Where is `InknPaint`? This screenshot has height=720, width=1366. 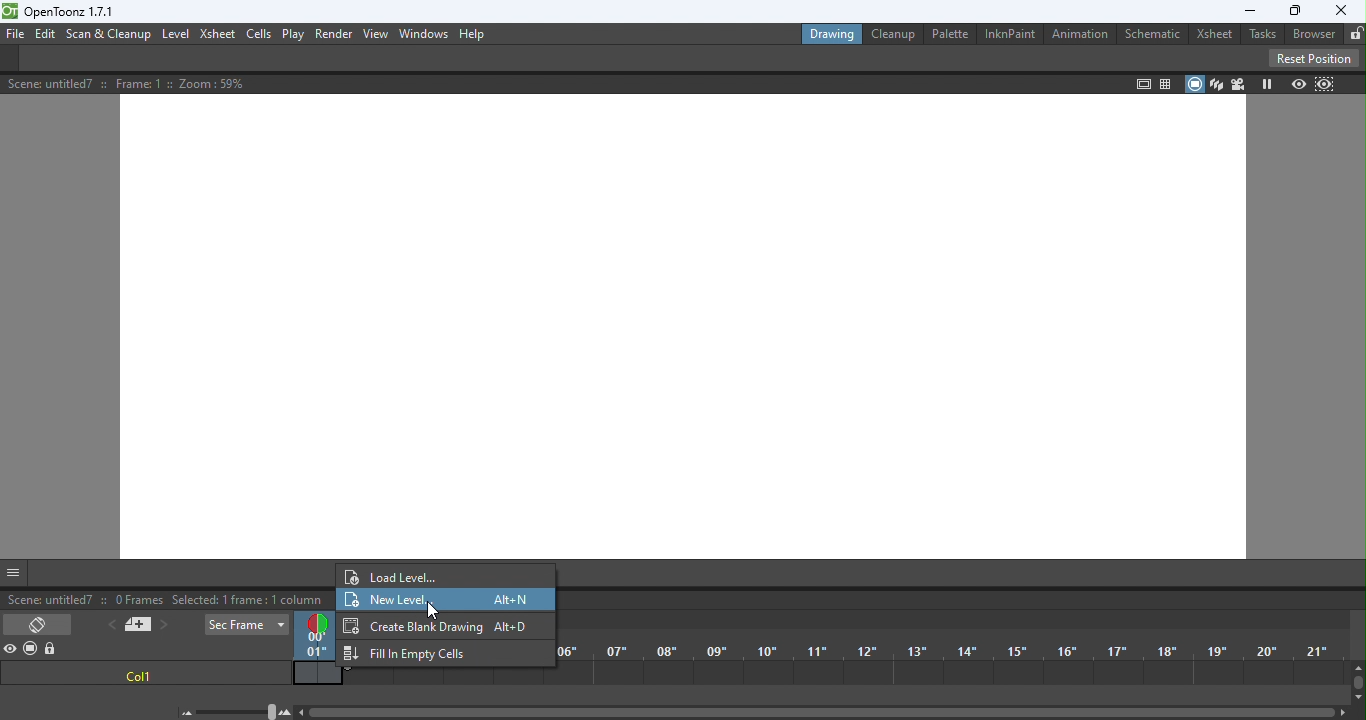
InknPaint is located at coordinates (1007, 34).